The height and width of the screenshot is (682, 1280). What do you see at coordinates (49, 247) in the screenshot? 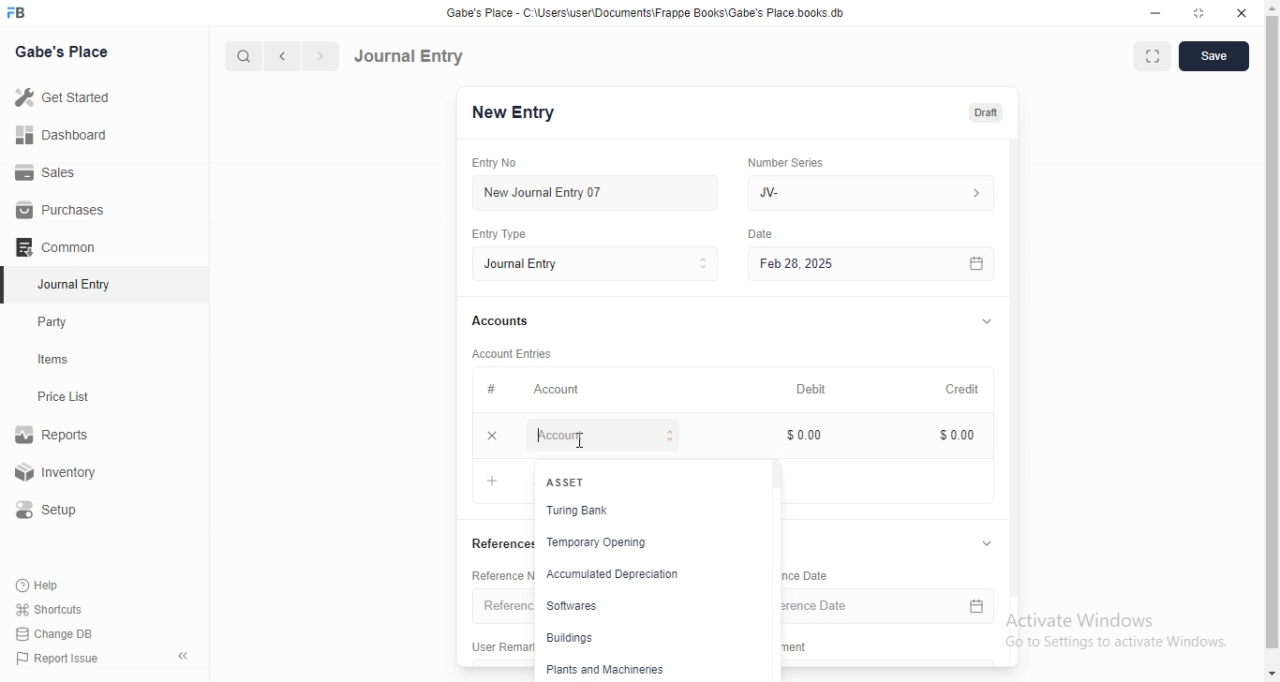
I see `Comman` at bounding box center [49, 247].